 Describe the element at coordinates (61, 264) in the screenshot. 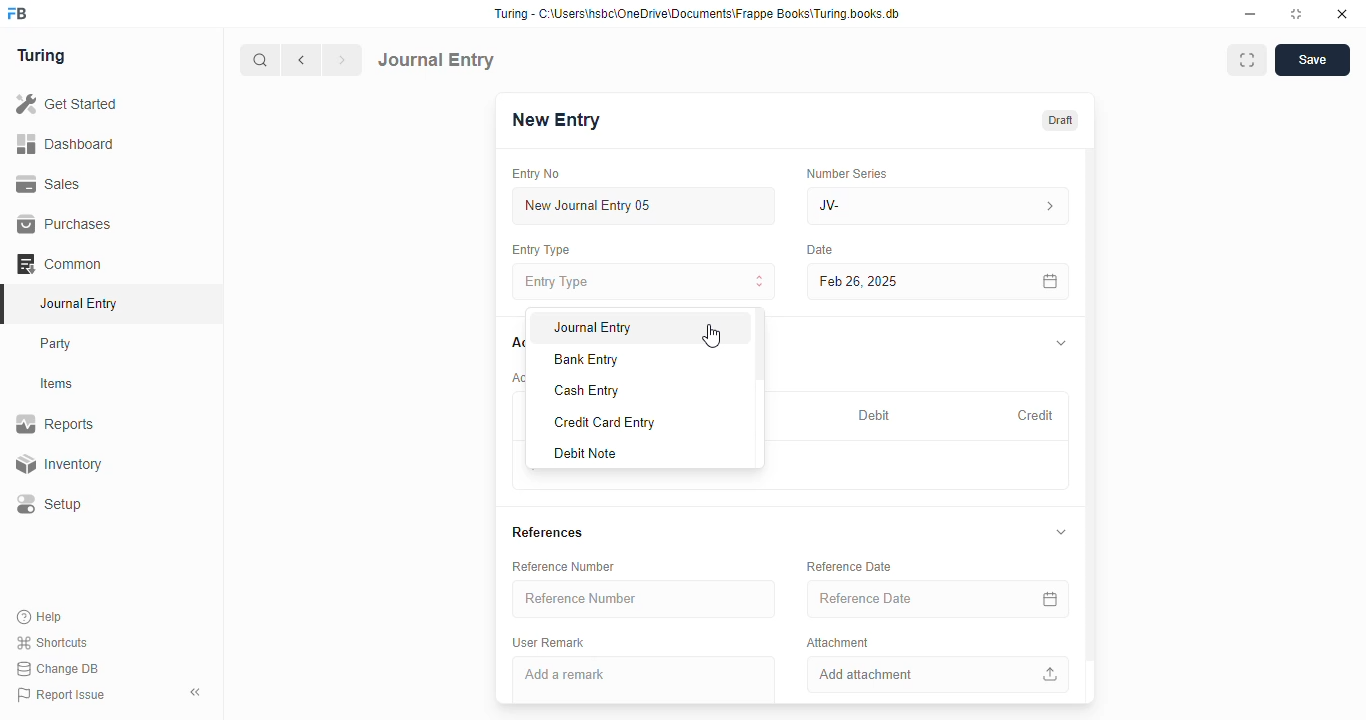

I see `common` at that location.